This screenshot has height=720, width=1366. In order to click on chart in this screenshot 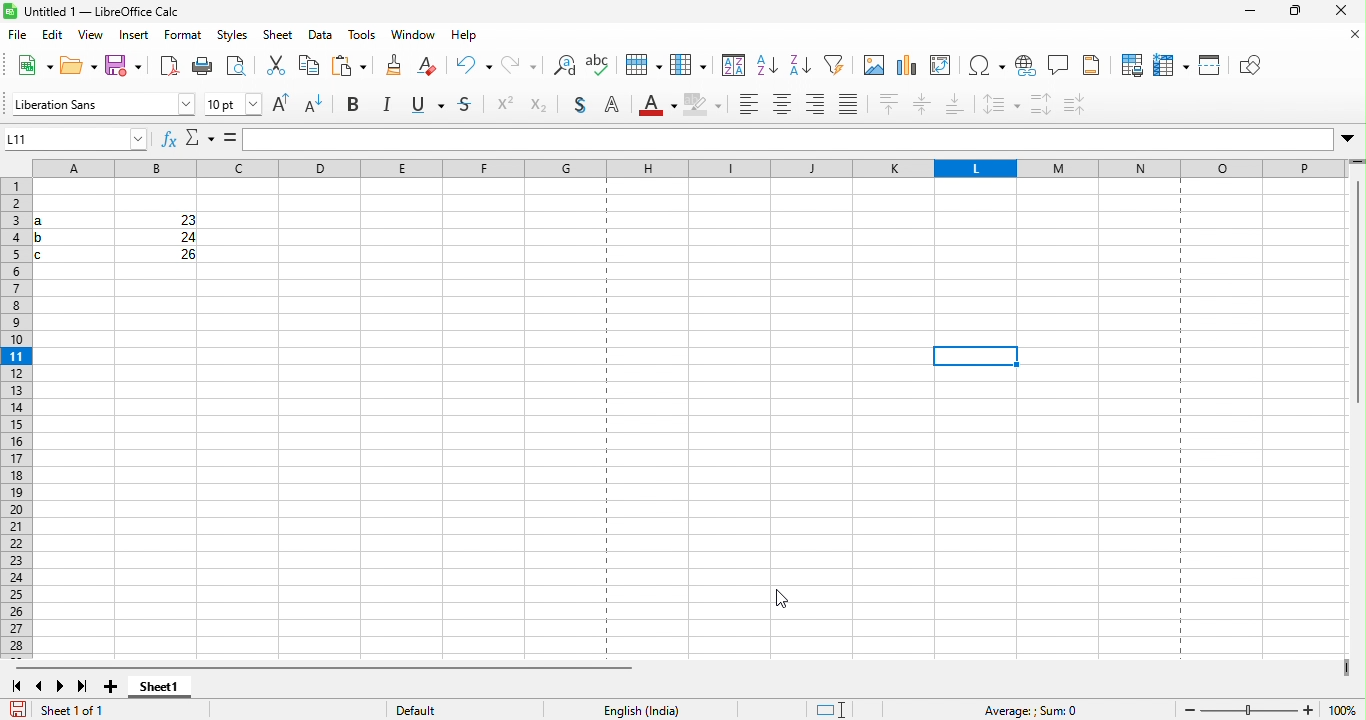, I will do `click(908, 66)`.